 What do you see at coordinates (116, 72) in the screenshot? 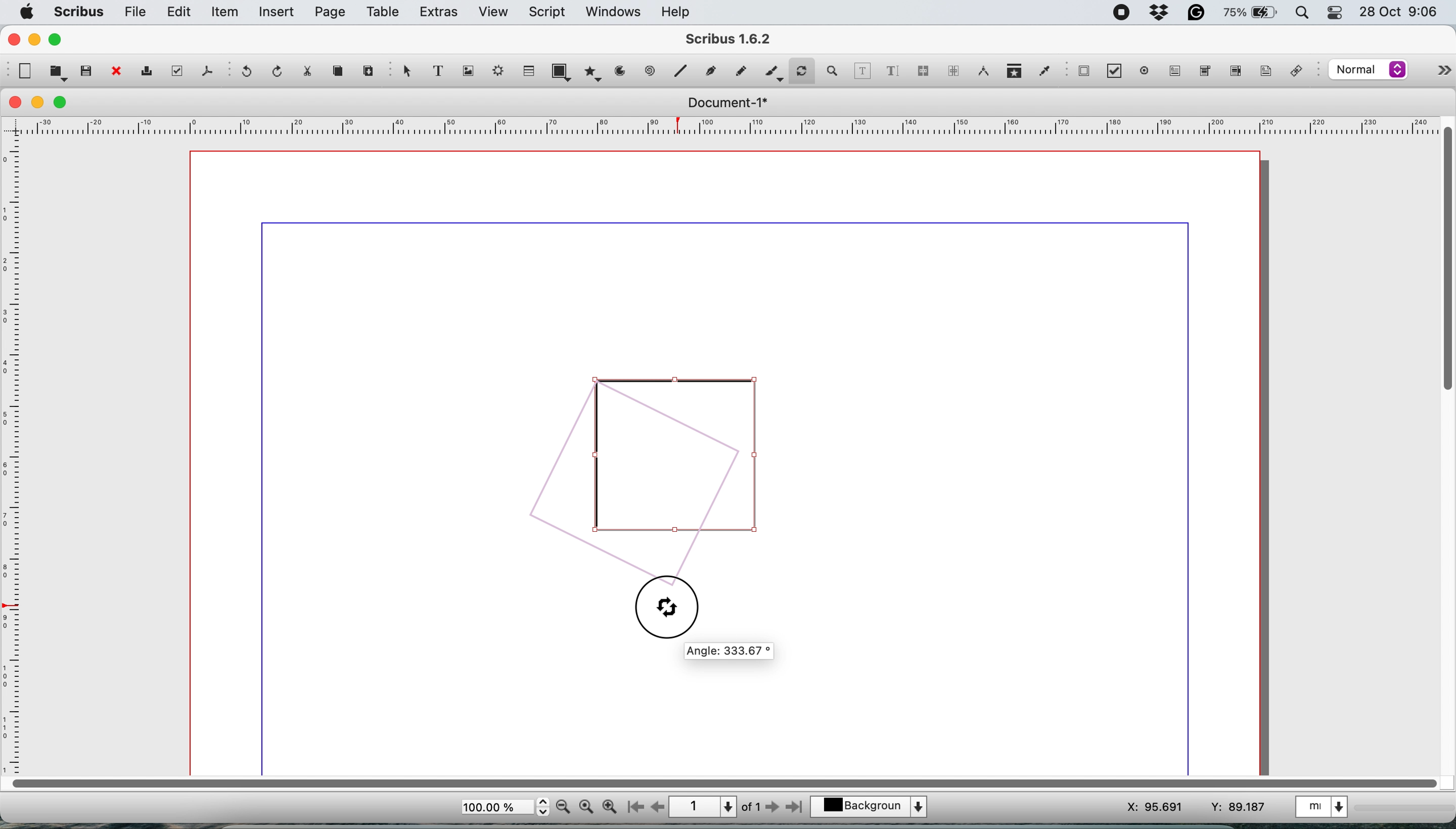
I see `close` at bounding box center [116, 72].